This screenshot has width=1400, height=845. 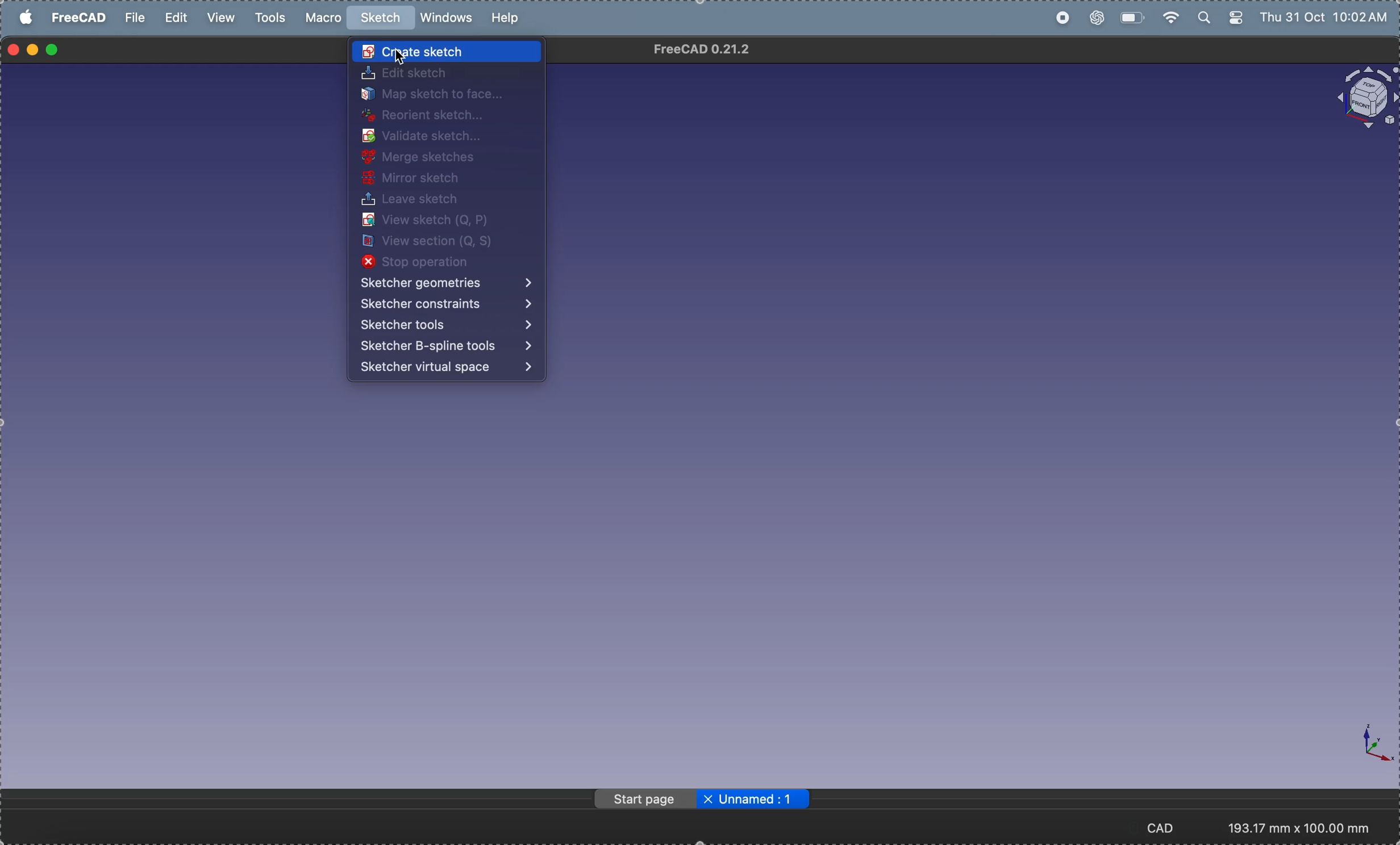 What do you see at coordinates (436, 263) in the screenshot?
I see `stop operation` at bounding box center [436, 263].